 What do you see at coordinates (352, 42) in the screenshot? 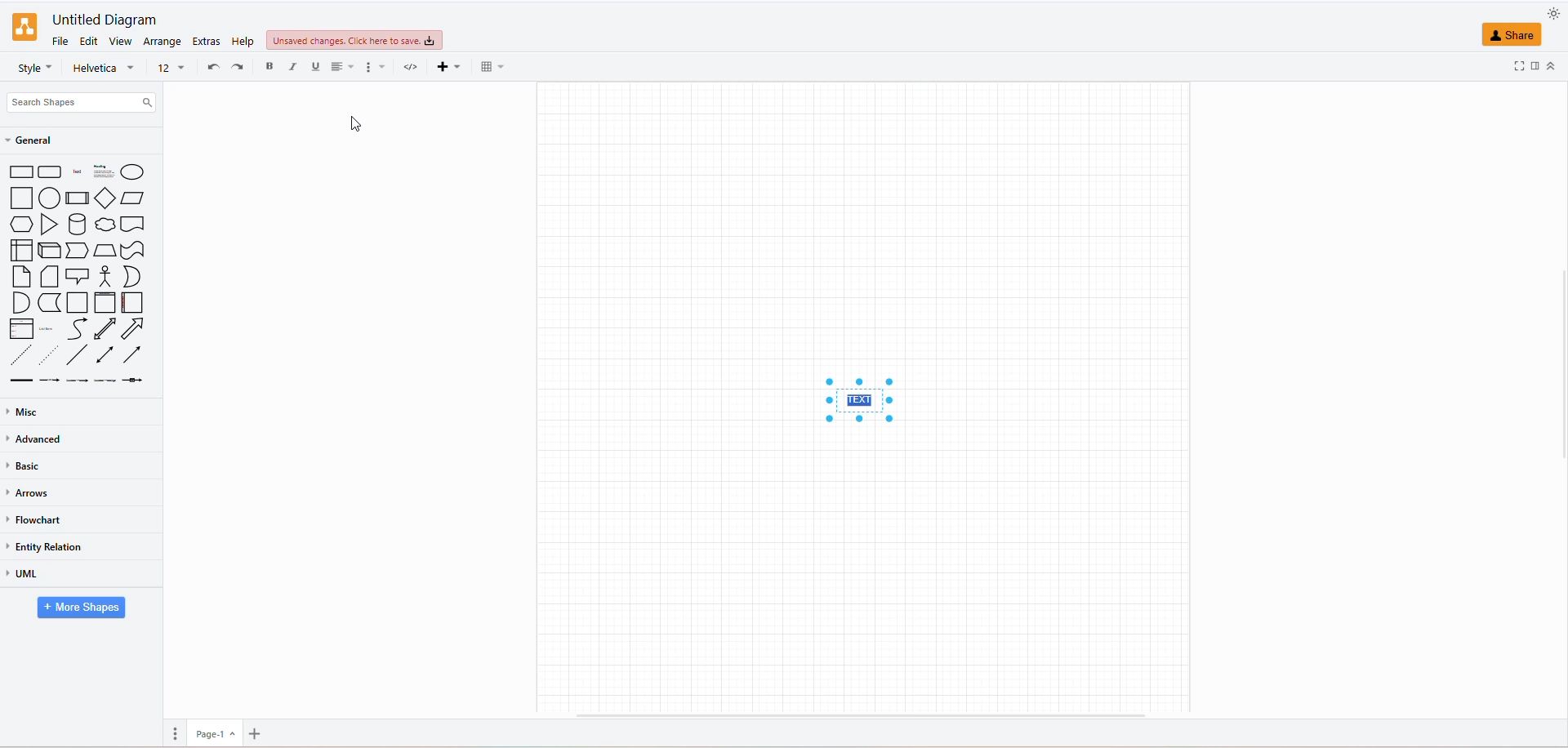
I see `unsaved changes click here to save` at bounding box center [352, 42].